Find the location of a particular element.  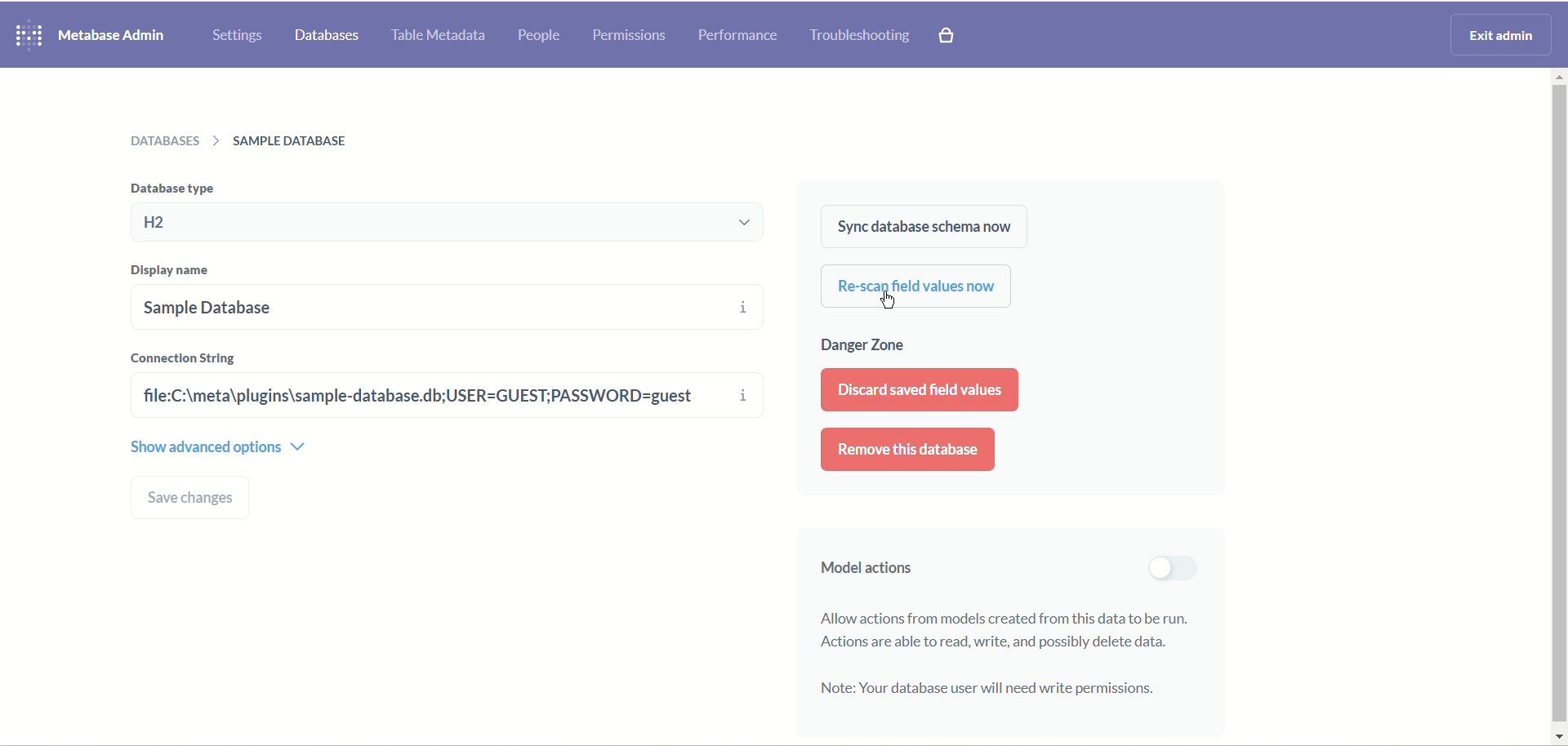

remove this database is located at coordinates (909, 450).